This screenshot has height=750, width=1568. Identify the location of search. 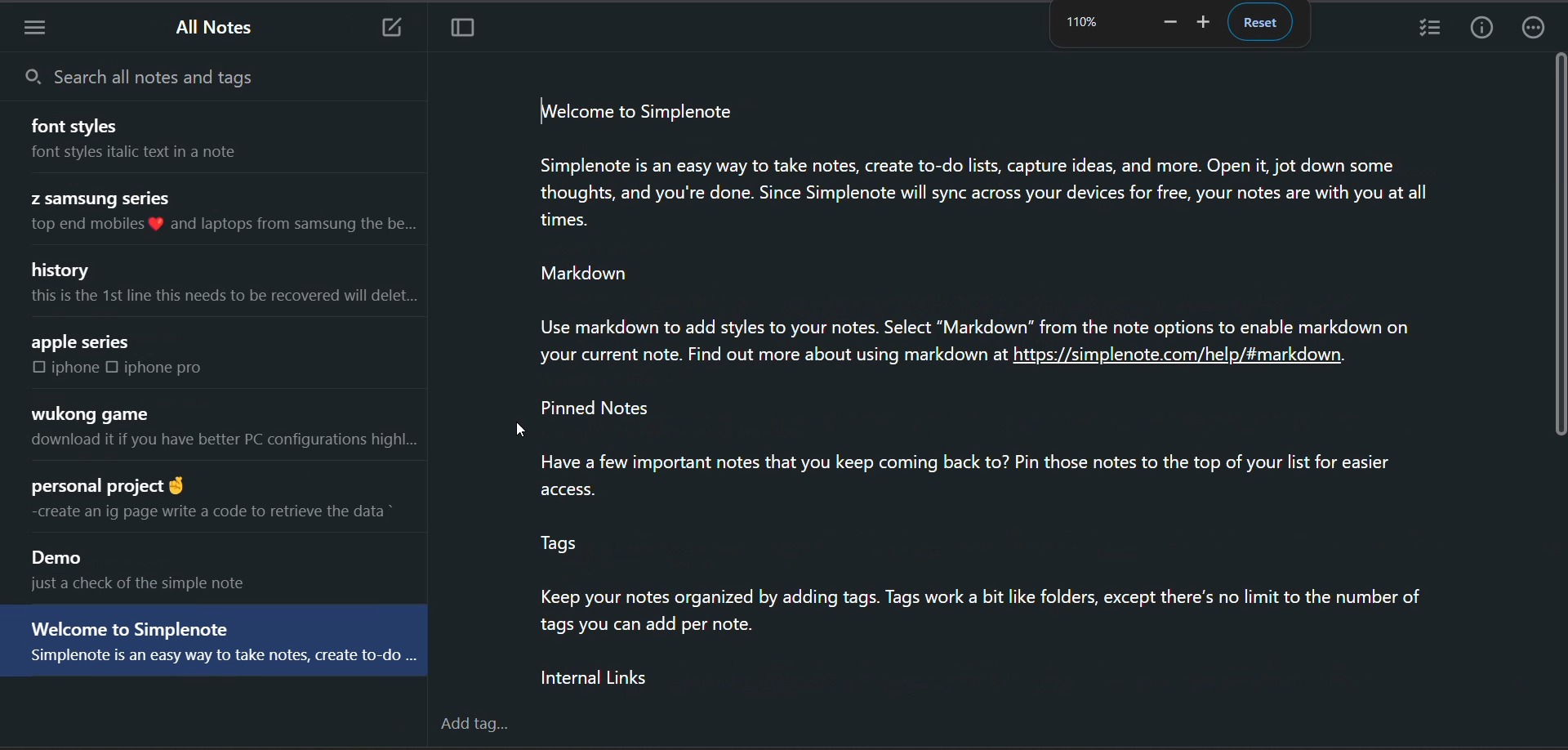
(184, 76).